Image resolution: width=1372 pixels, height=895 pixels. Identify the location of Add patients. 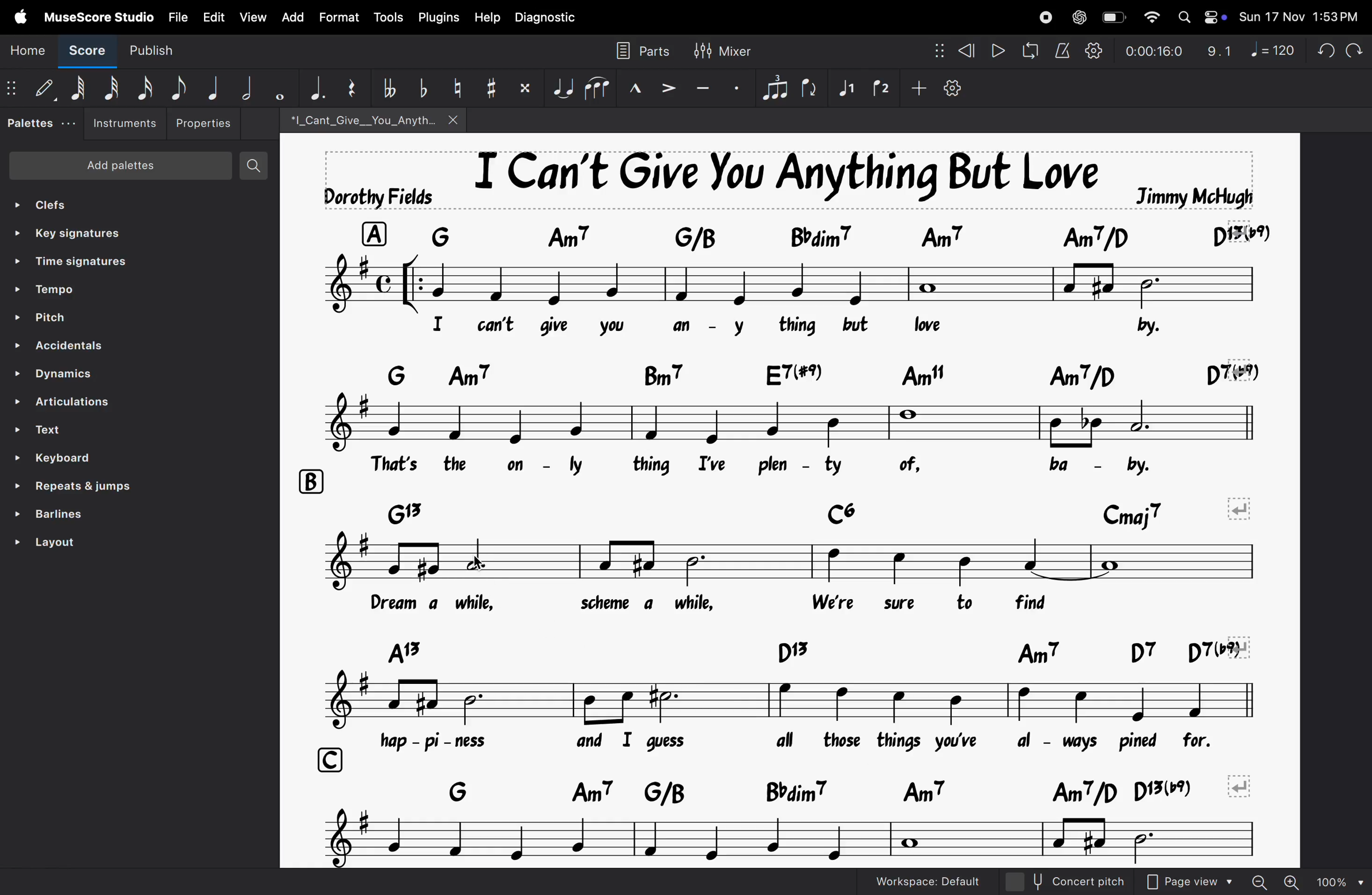
(121, 166).